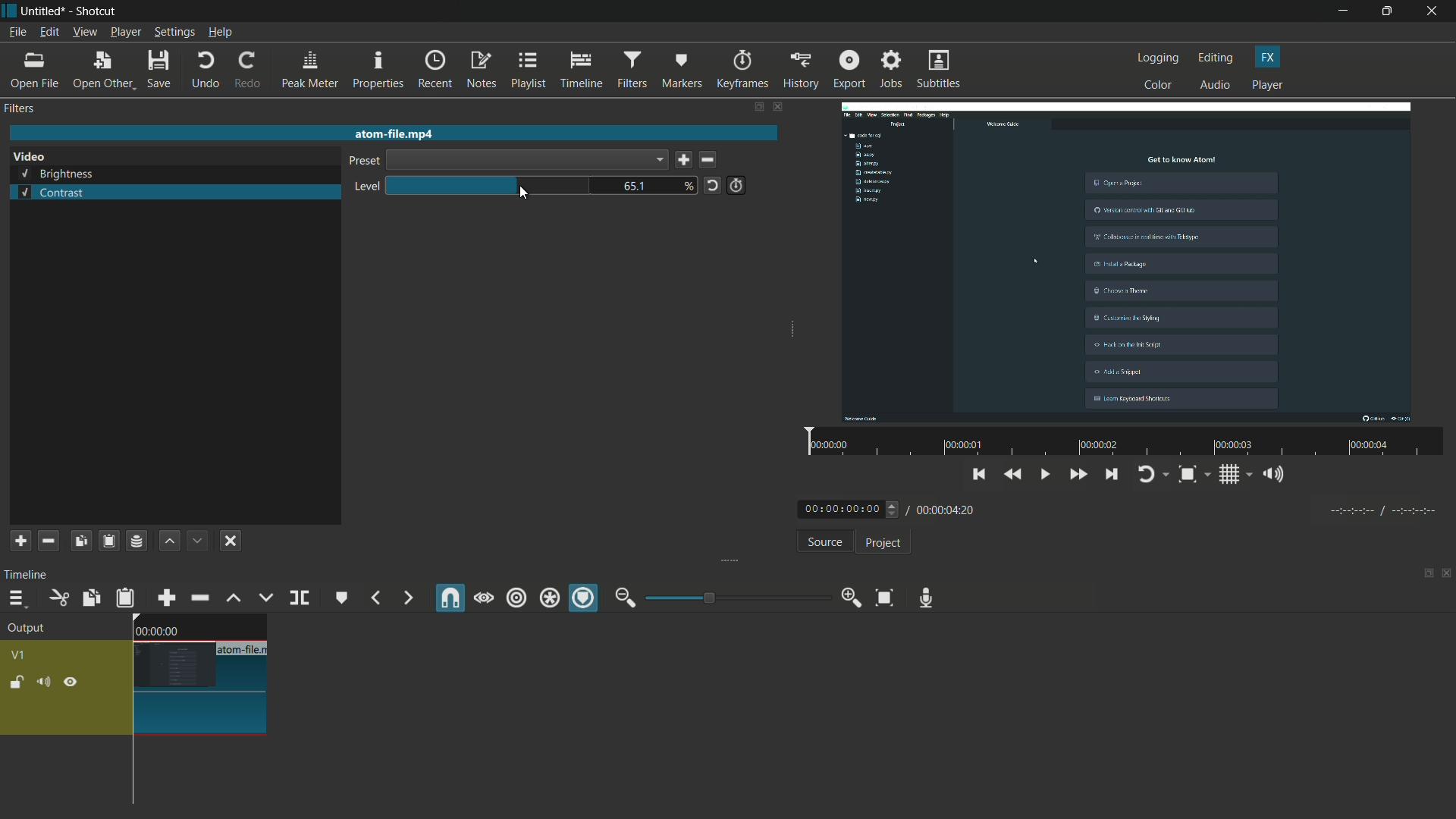 This screenshot has width=1456, height=819. I want to click on lock track, so click(19, 682).